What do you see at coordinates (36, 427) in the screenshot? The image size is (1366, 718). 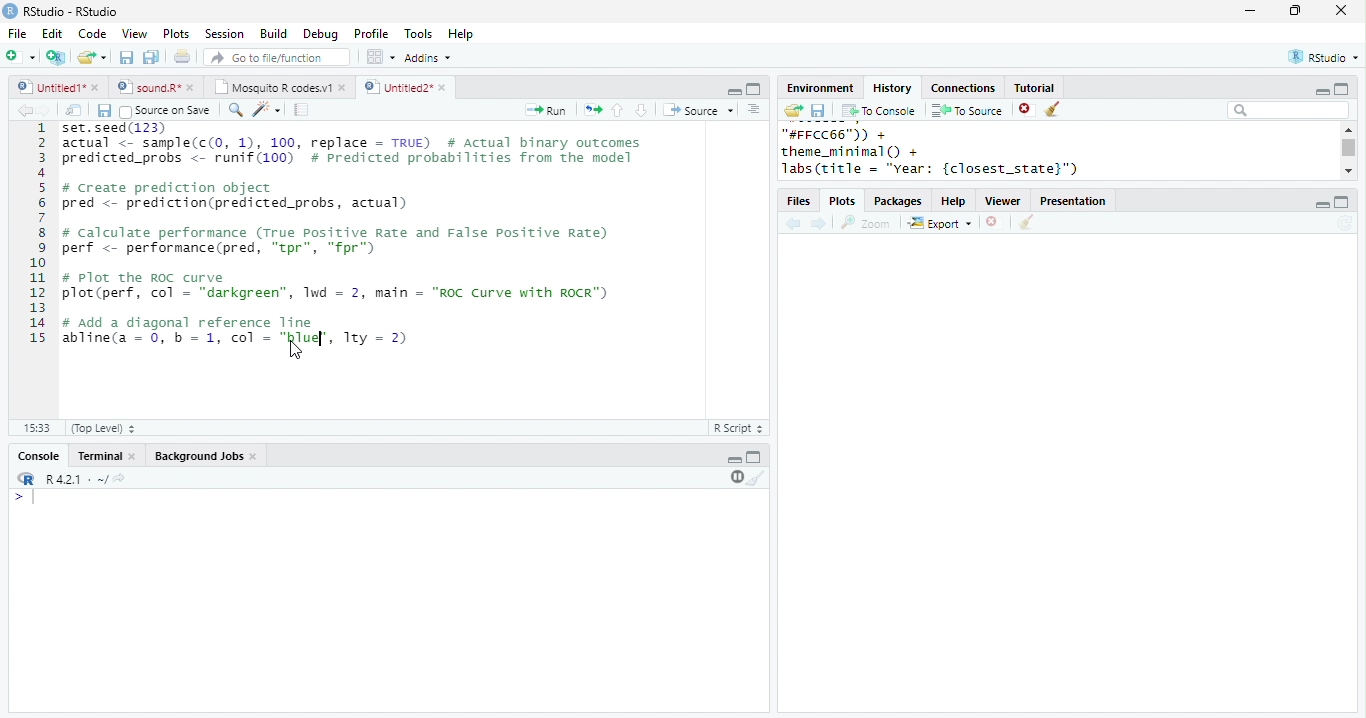 I see `15:33` at bounding box center [36, 427].